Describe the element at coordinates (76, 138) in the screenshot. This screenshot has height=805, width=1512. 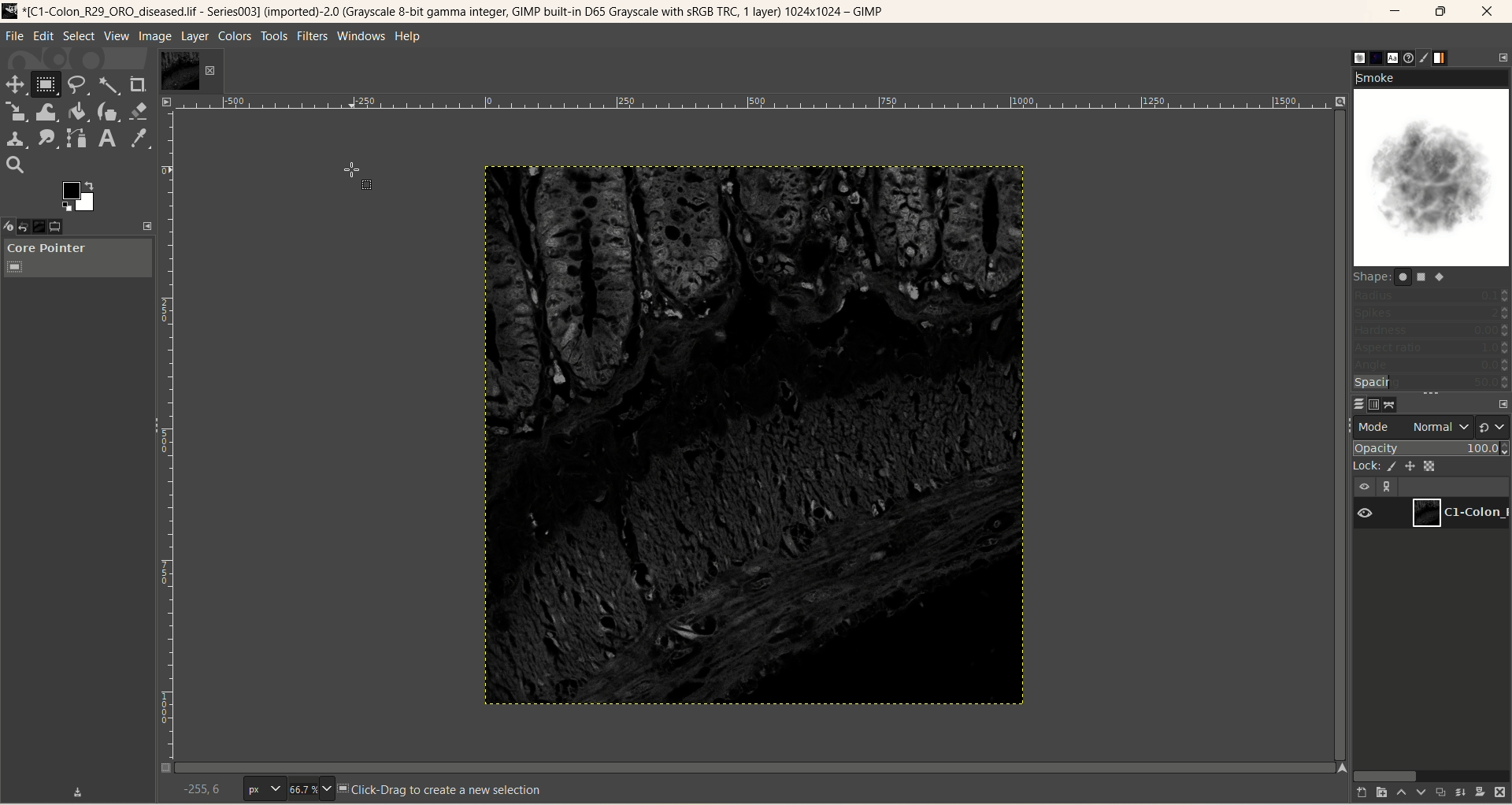
I see `path tool` at that location.